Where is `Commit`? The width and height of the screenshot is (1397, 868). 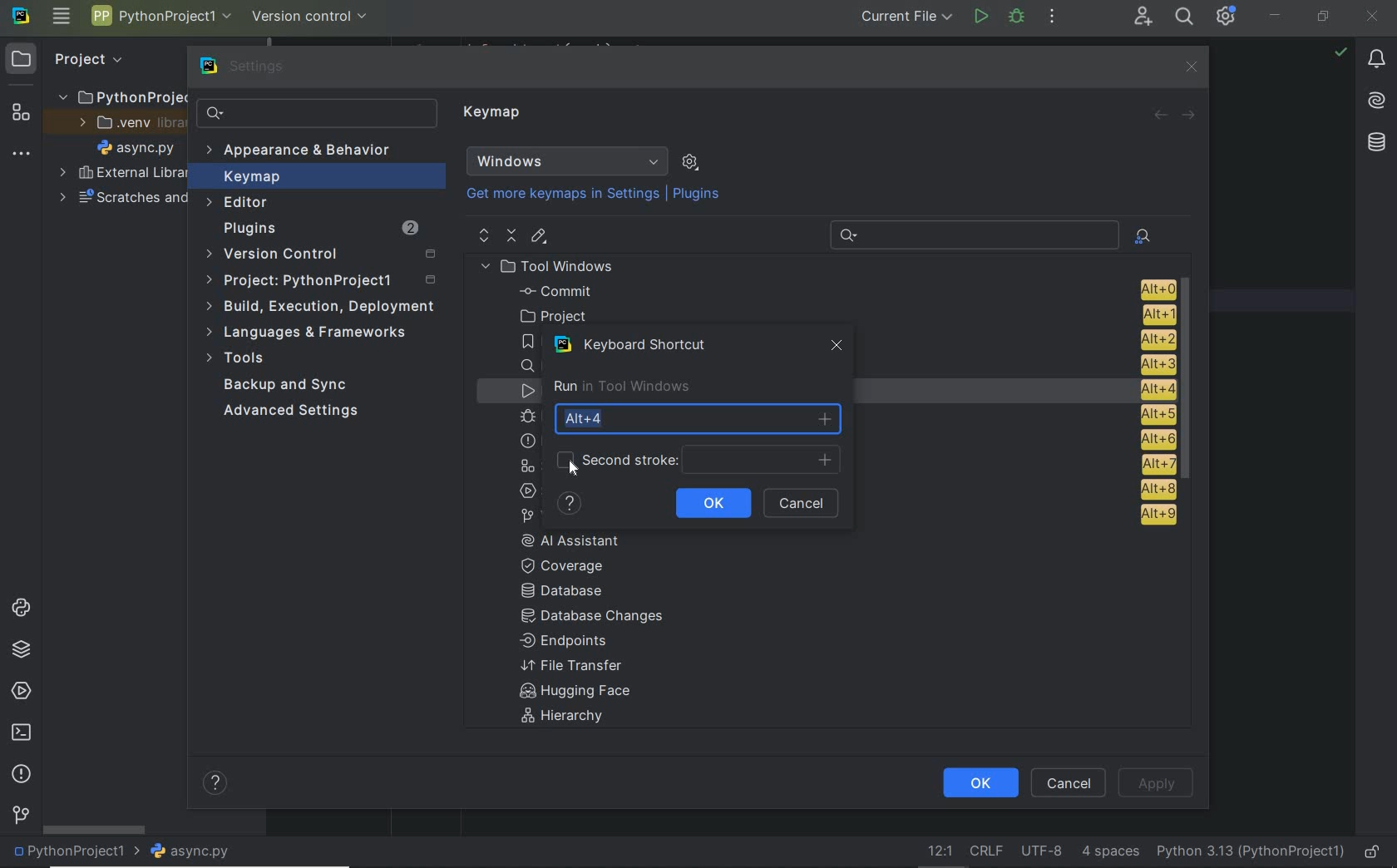
Commit is located at coordinates (844, 291).